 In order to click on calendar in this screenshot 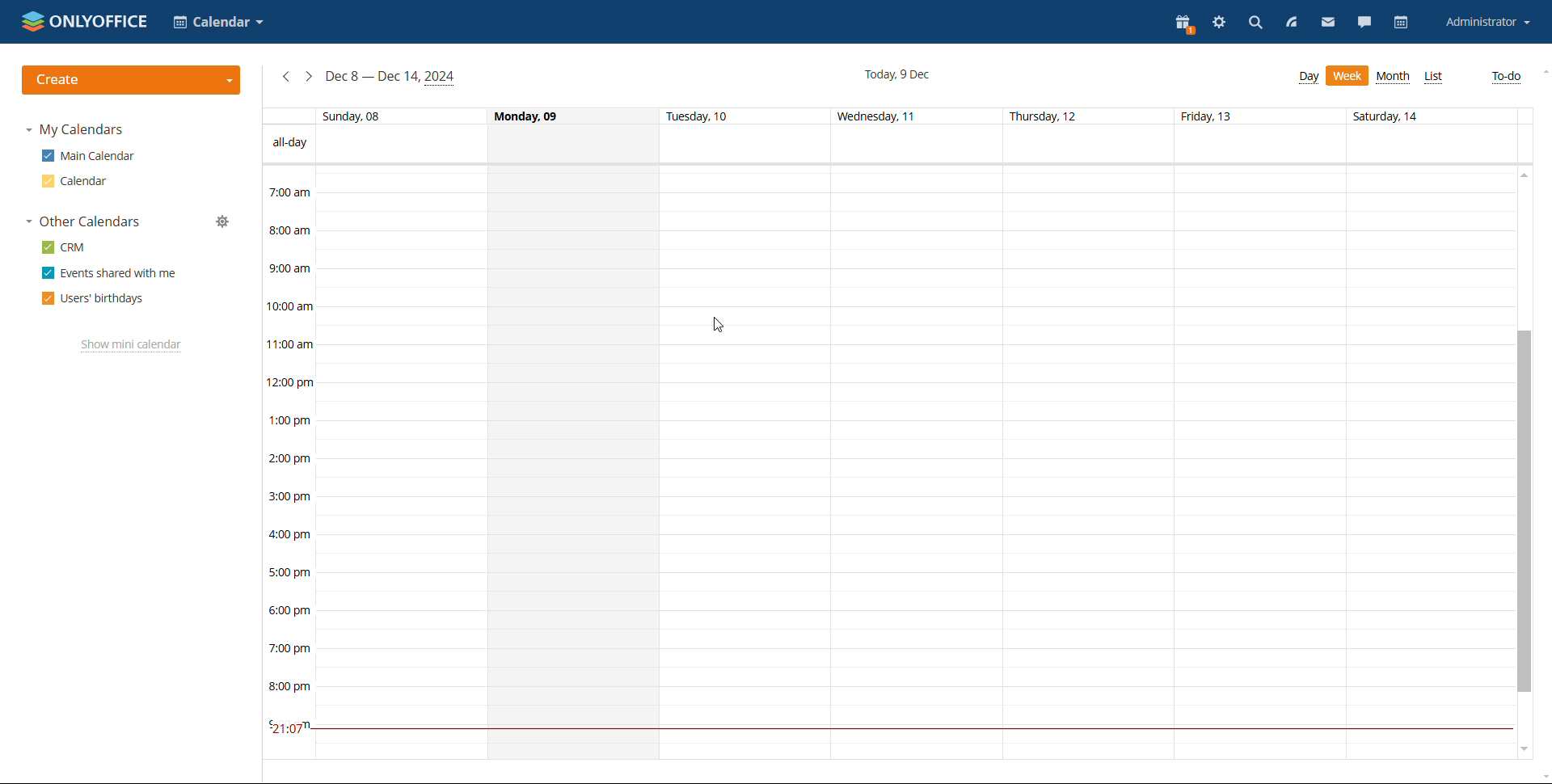, I will do `click(1401, 23)`.